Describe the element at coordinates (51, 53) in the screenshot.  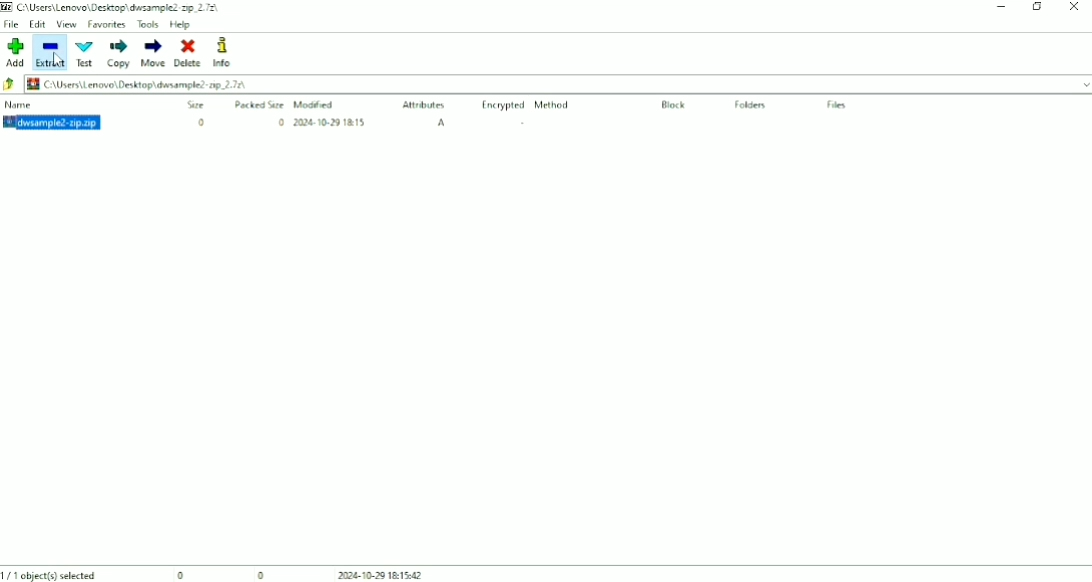
I see `Extract` at that location.